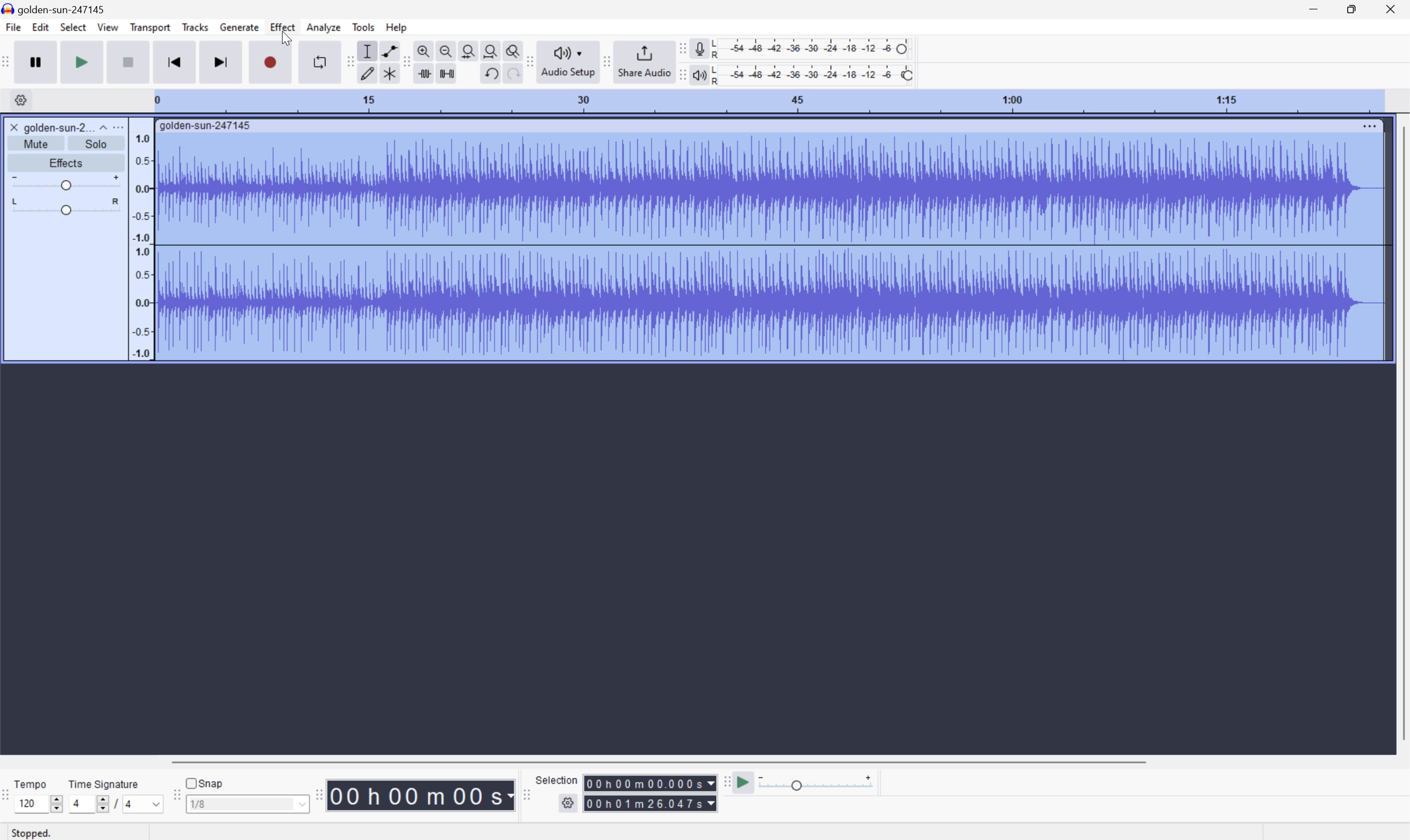  What do you see at coordinates (1351, 9) in the screenshot?
I see `Restore Down` at bounding box center [1351, 9].